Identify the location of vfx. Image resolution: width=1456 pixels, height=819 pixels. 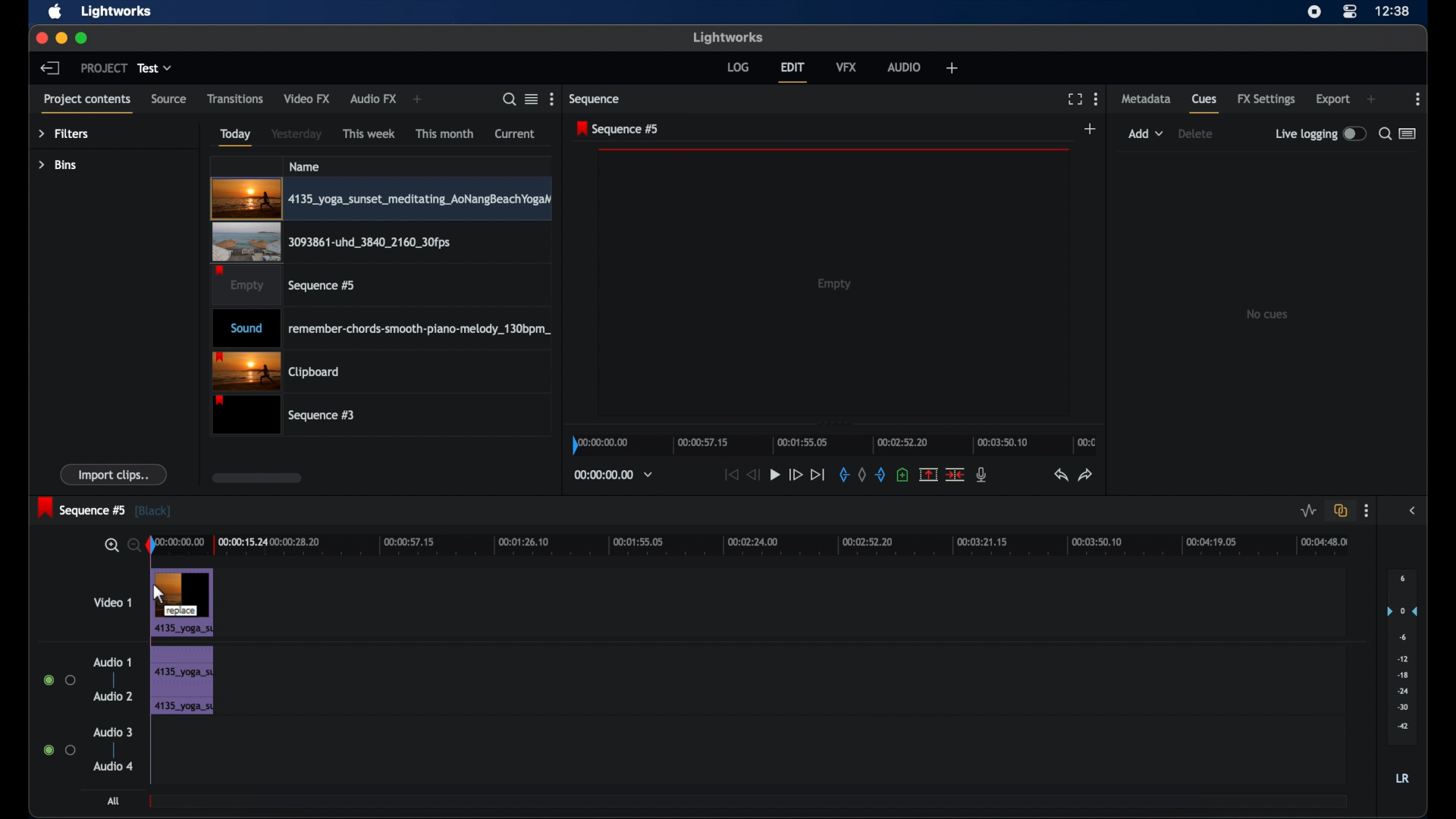
(846, 66).